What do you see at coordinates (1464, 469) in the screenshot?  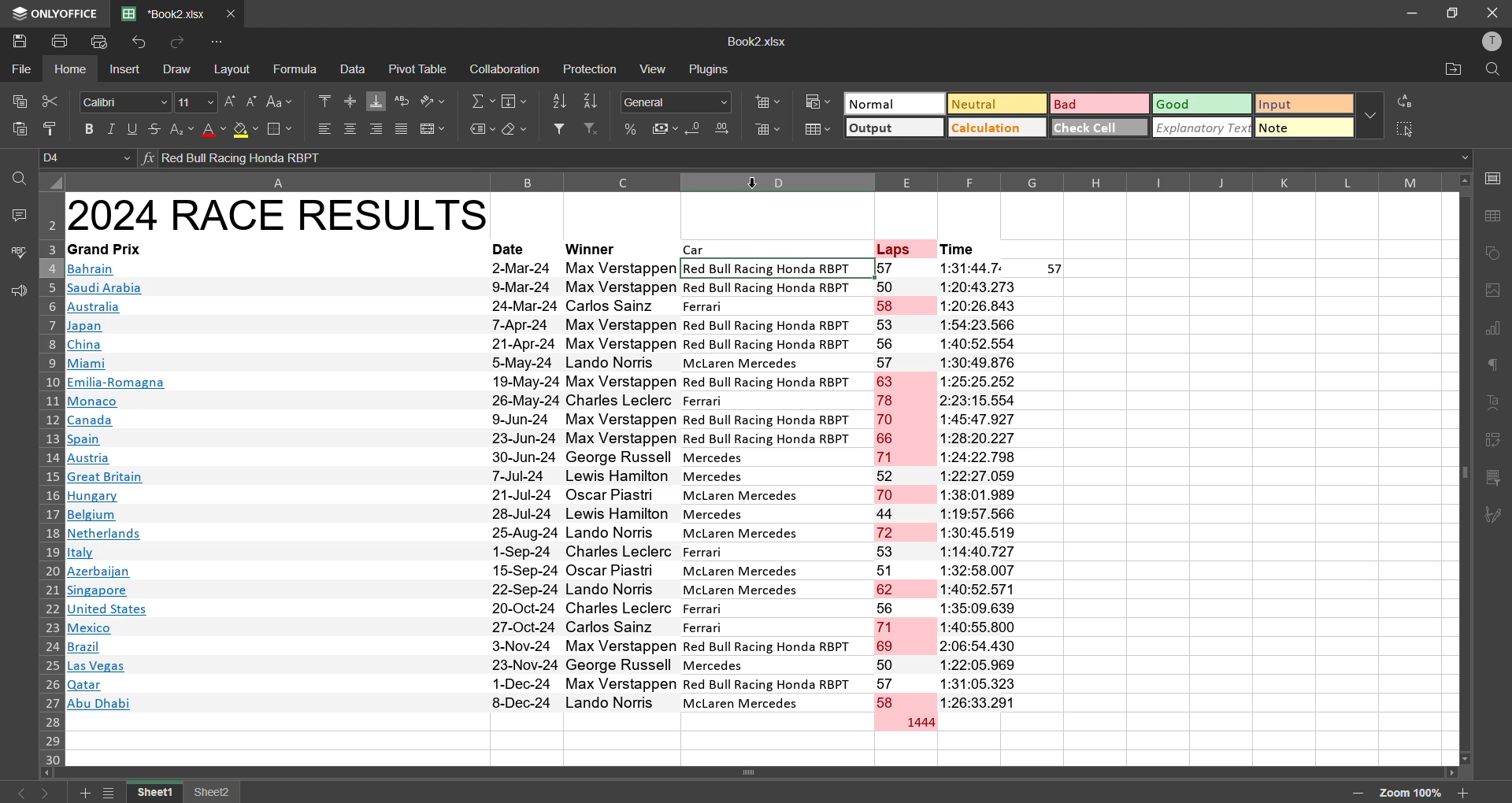 I see `scrollbar` at bounding box center [1464, 469].